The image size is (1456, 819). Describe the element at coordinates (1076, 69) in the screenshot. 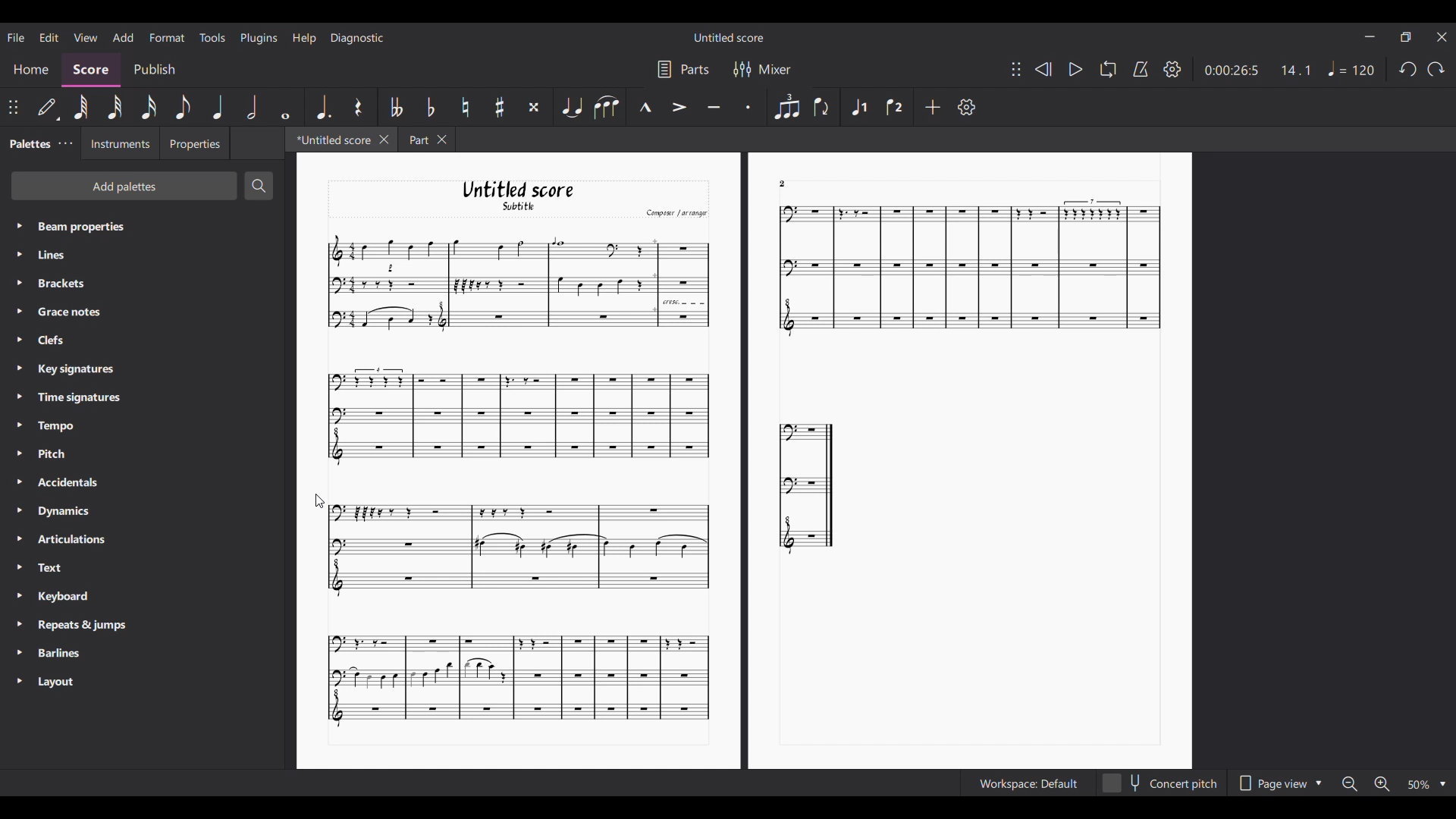

I see `Play` at that location.